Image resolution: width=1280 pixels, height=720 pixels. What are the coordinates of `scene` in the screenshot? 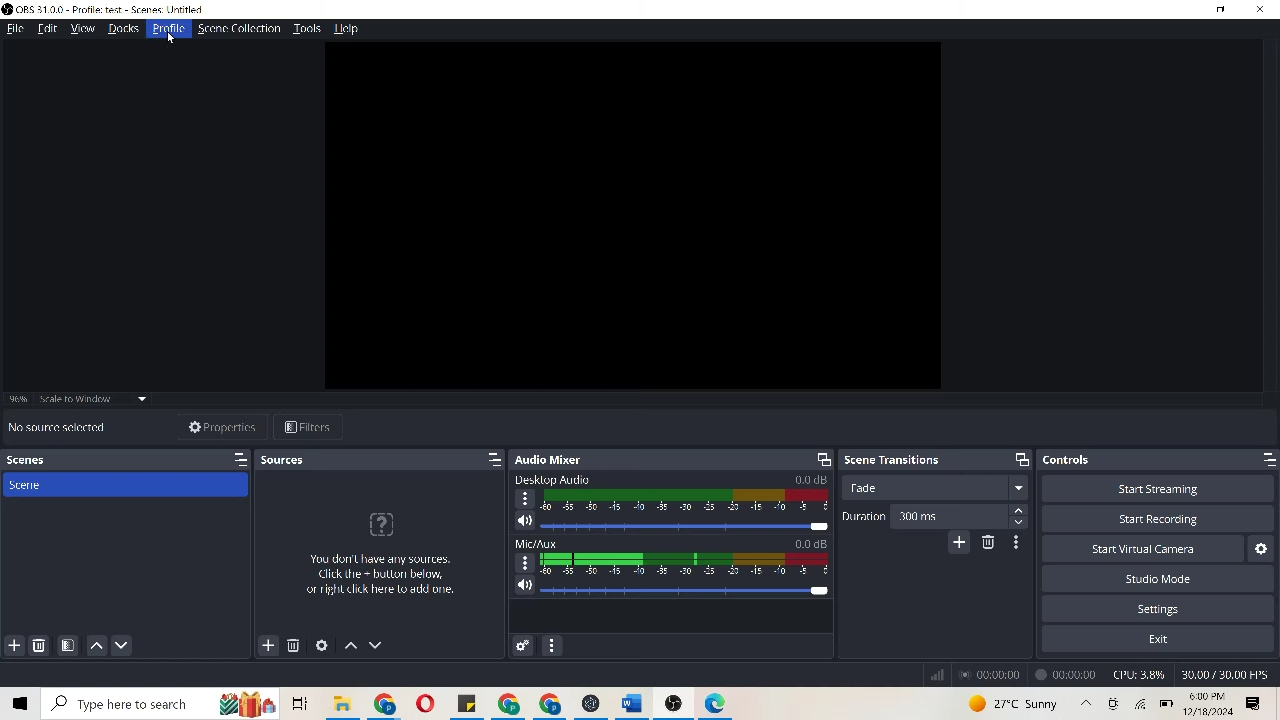 It's located at (128, 487).